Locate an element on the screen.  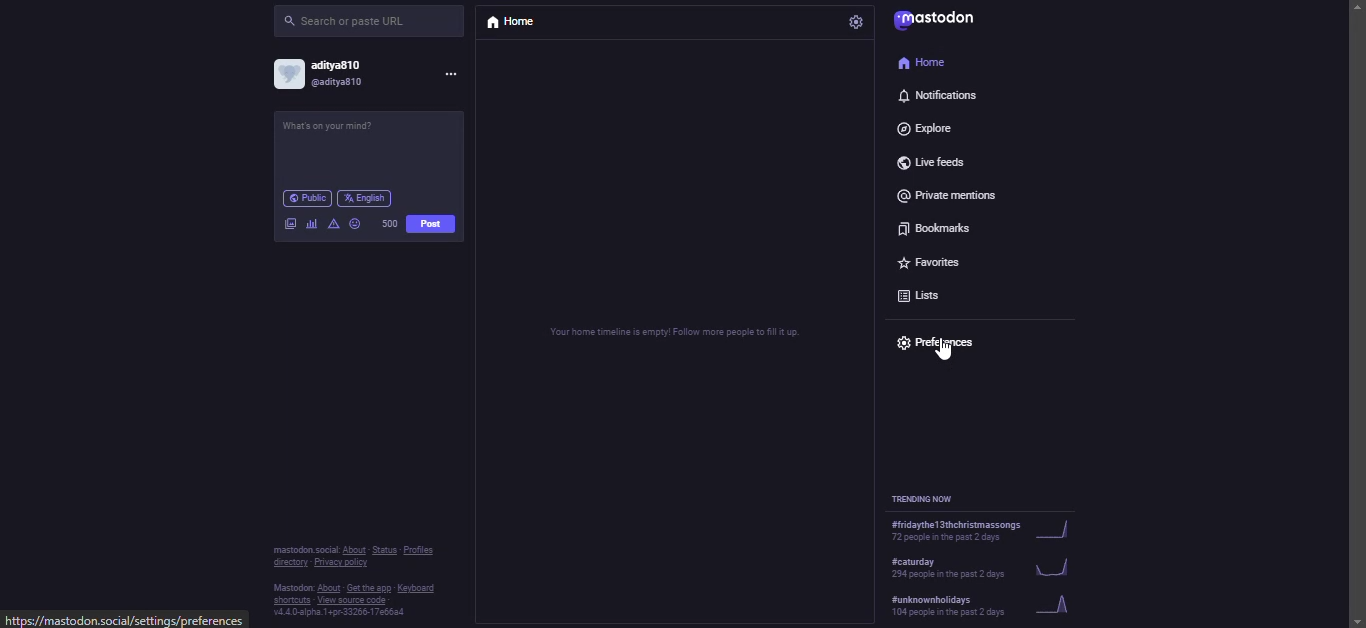
bookmarks is located at coordinates (935, 225).